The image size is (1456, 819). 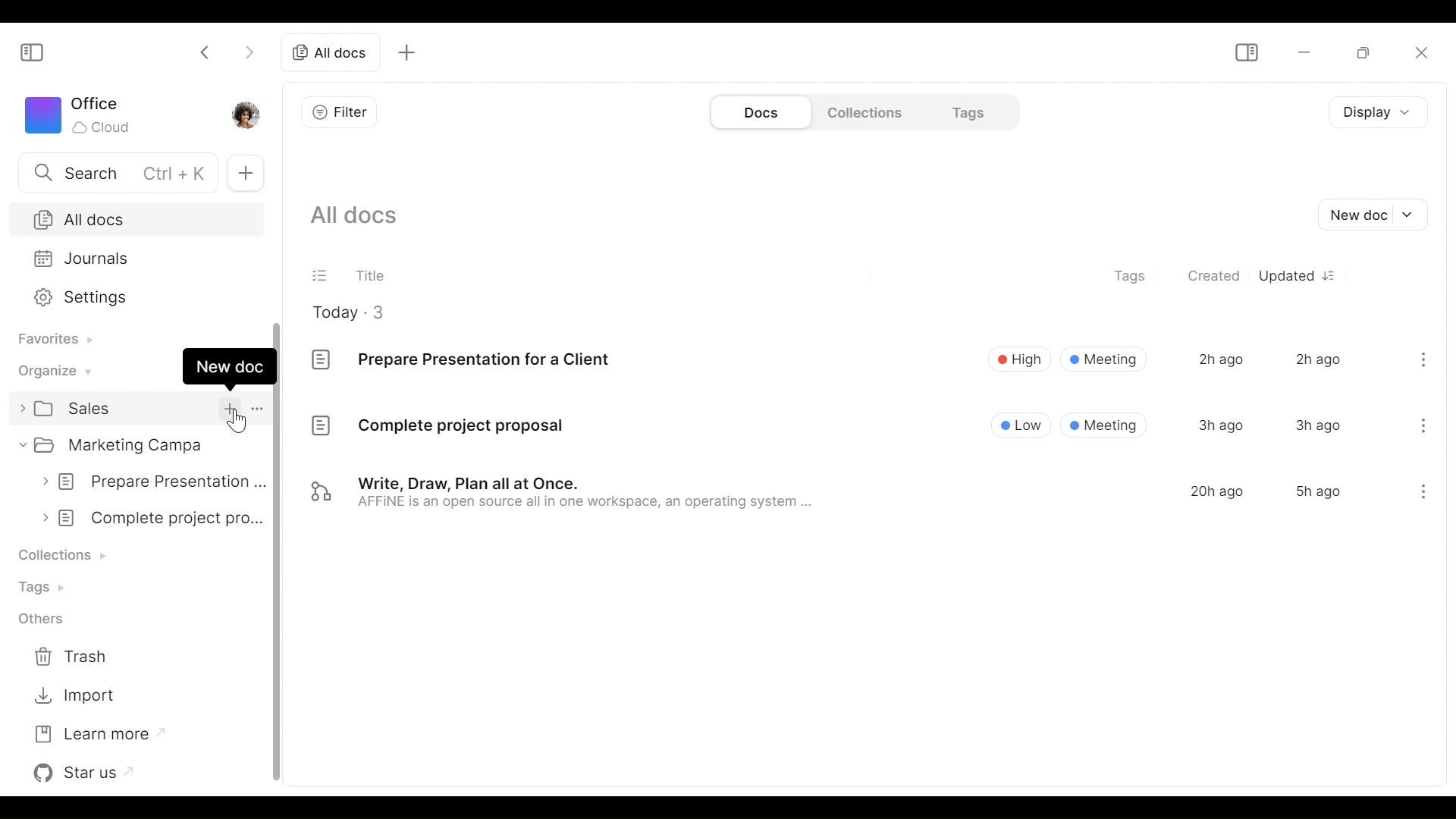 I want to click on Workspace, so click(x=81, y=115).